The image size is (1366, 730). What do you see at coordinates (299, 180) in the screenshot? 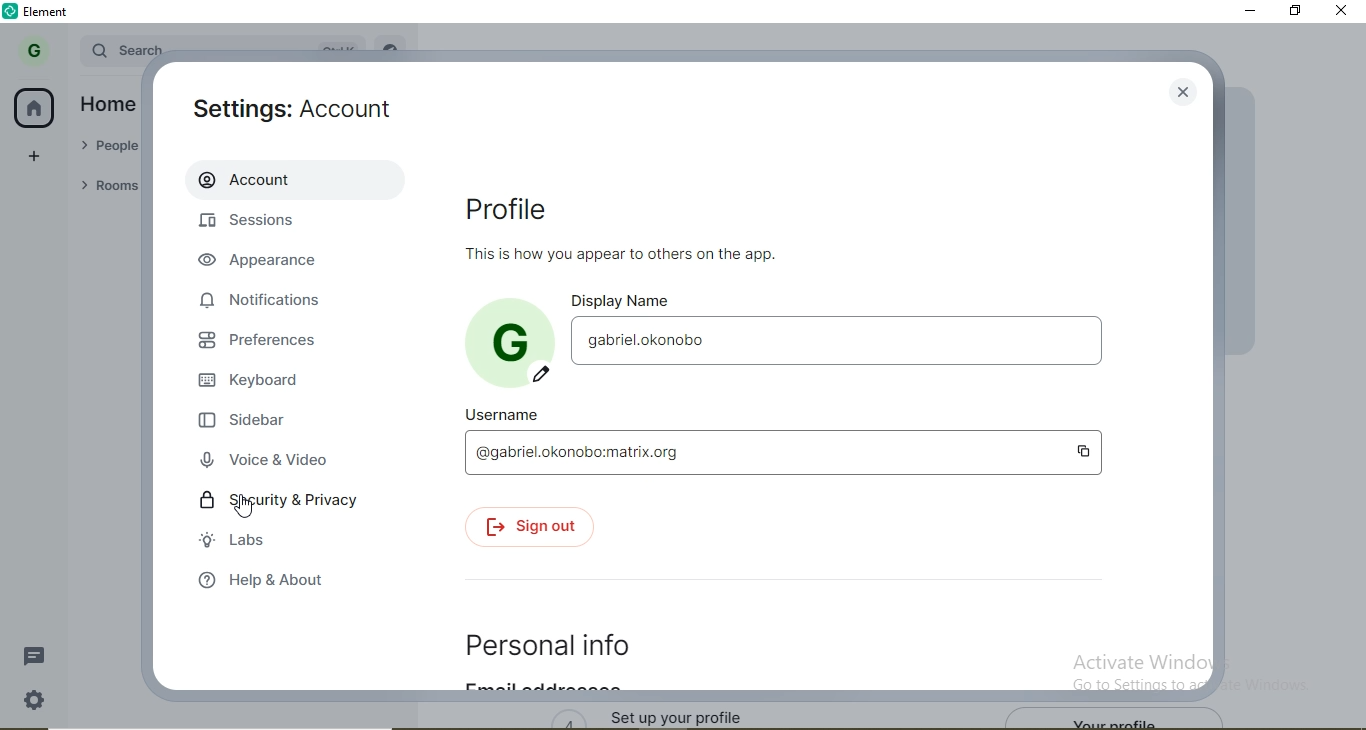
I see `Account` at bounding box center [299, 180].